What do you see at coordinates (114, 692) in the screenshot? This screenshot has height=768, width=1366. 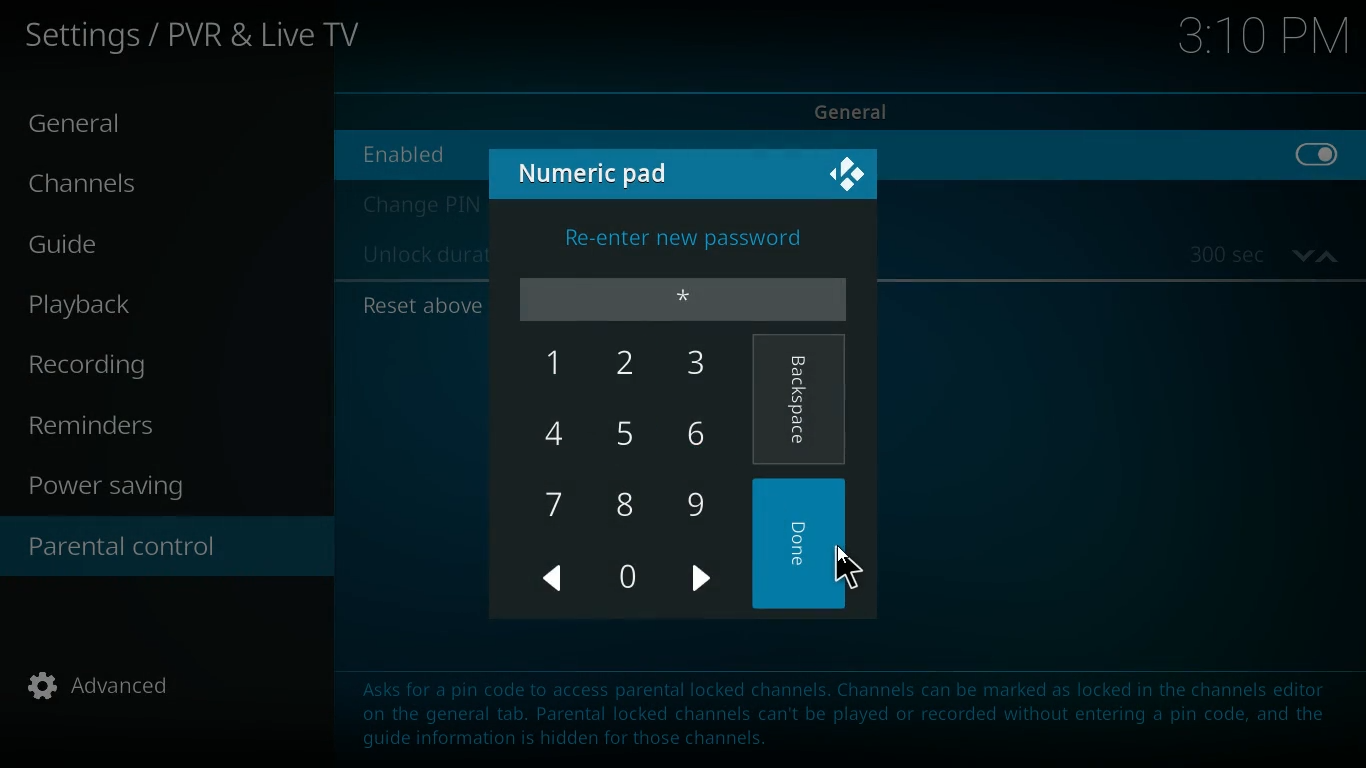 I see `advanced` at bounding box center [114, 692].